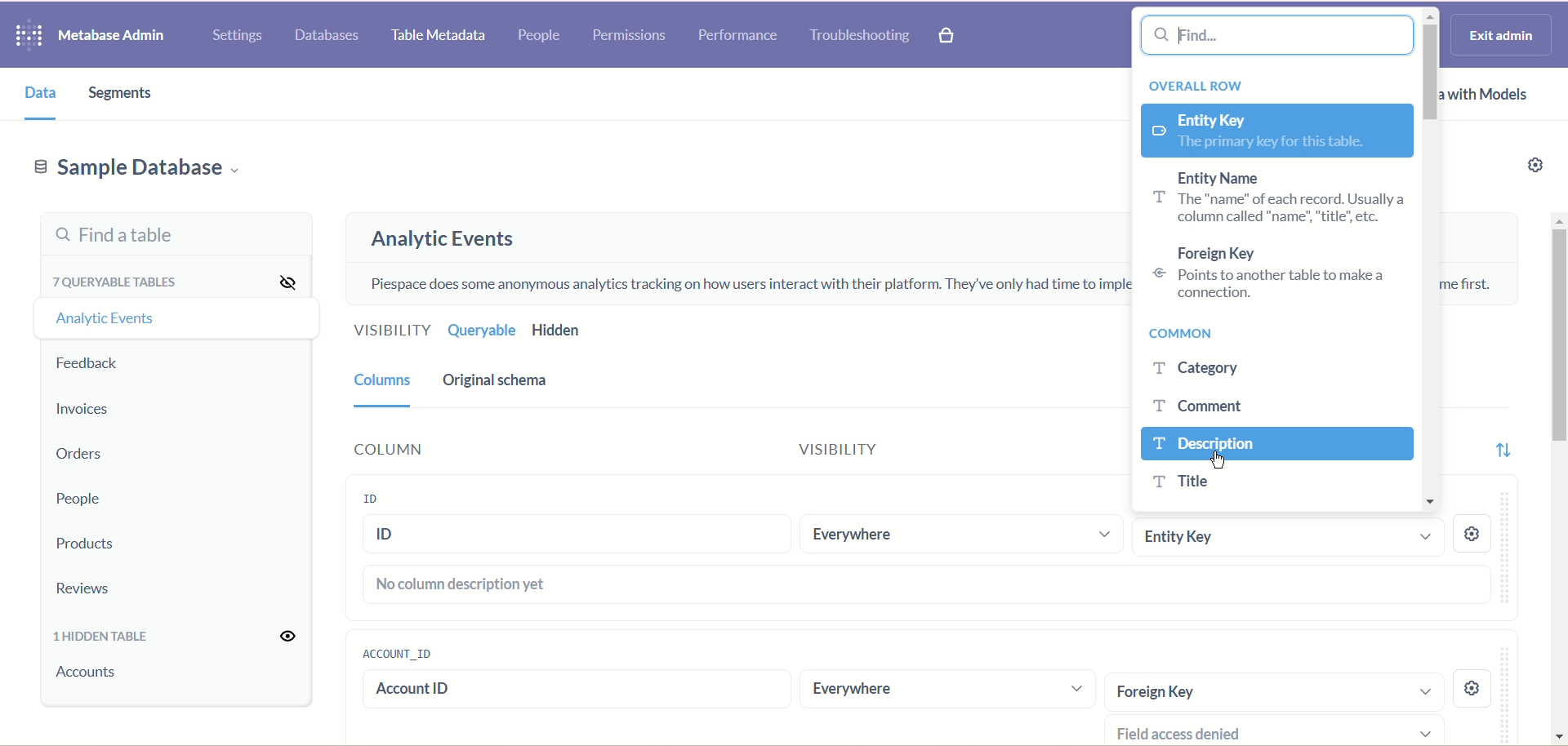 The height and width of the screenshot is (746, 1568). What do you see at coordinates (442, 239) in the screenshot?
I see `analytic events` at bounding box center [442, 239].